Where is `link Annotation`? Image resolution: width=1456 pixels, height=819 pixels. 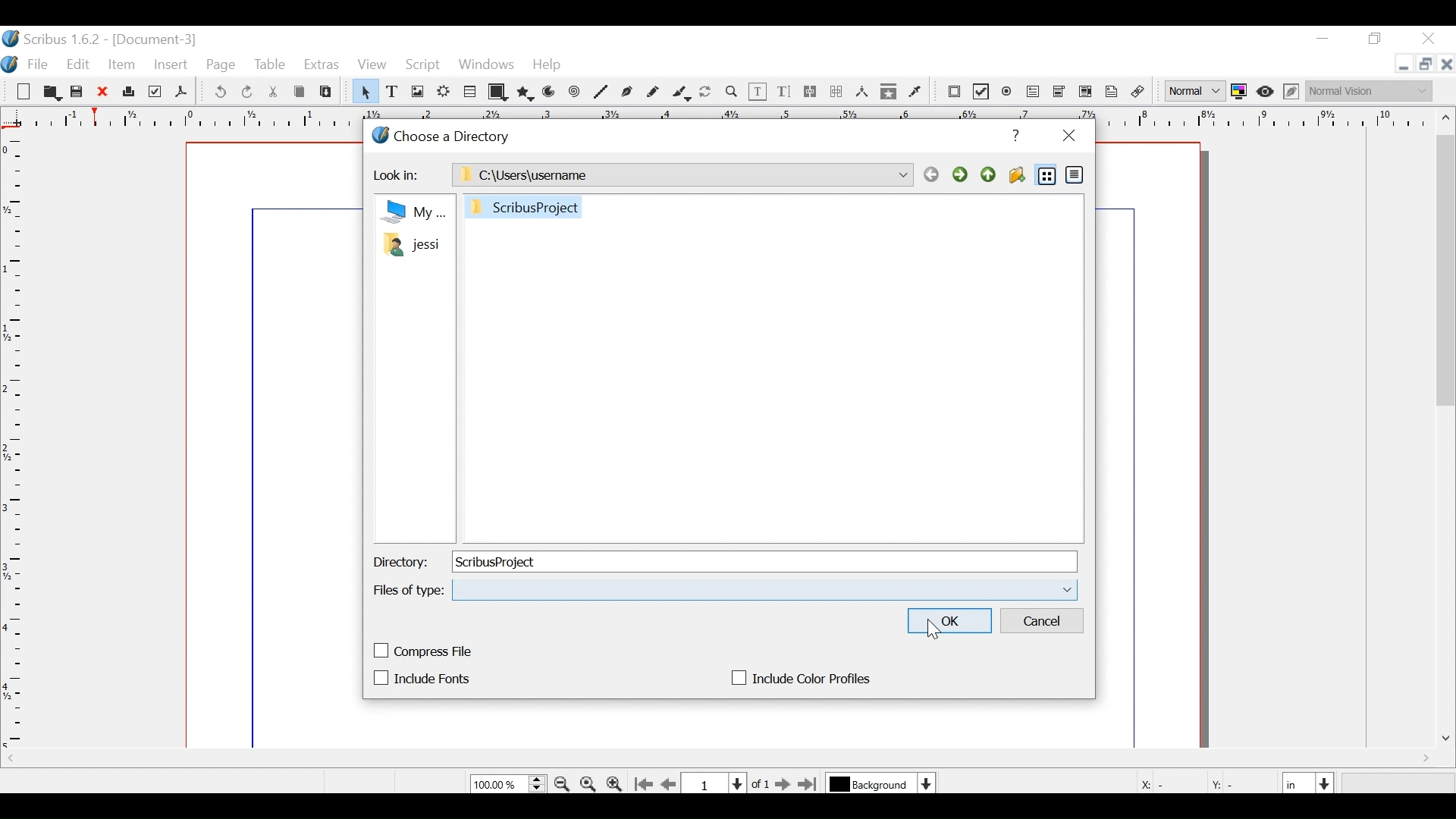 link Annotation is located at coordinates (1112, 93).